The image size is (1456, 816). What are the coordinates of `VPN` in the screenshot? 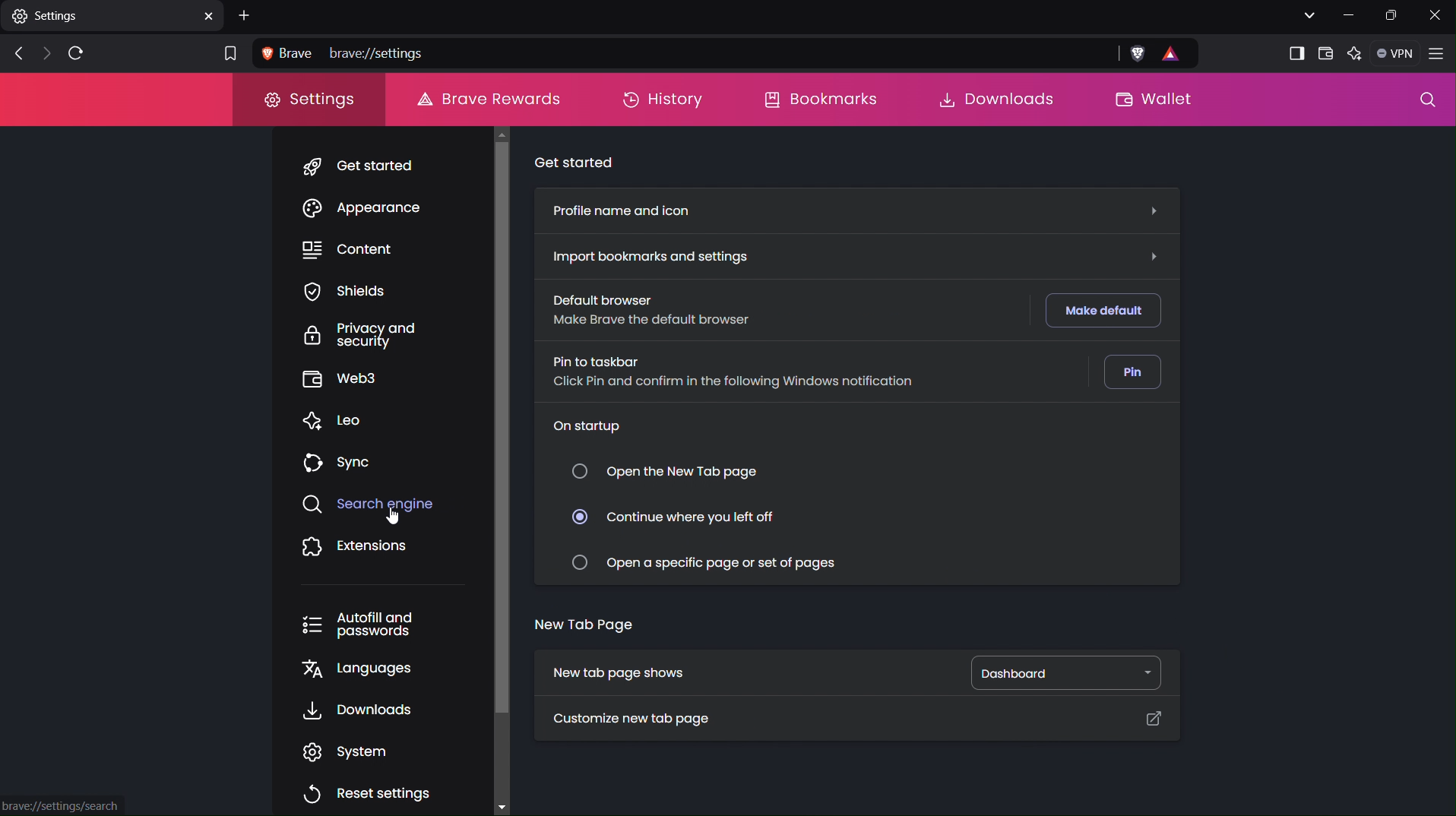 It's located at (1397, 54).